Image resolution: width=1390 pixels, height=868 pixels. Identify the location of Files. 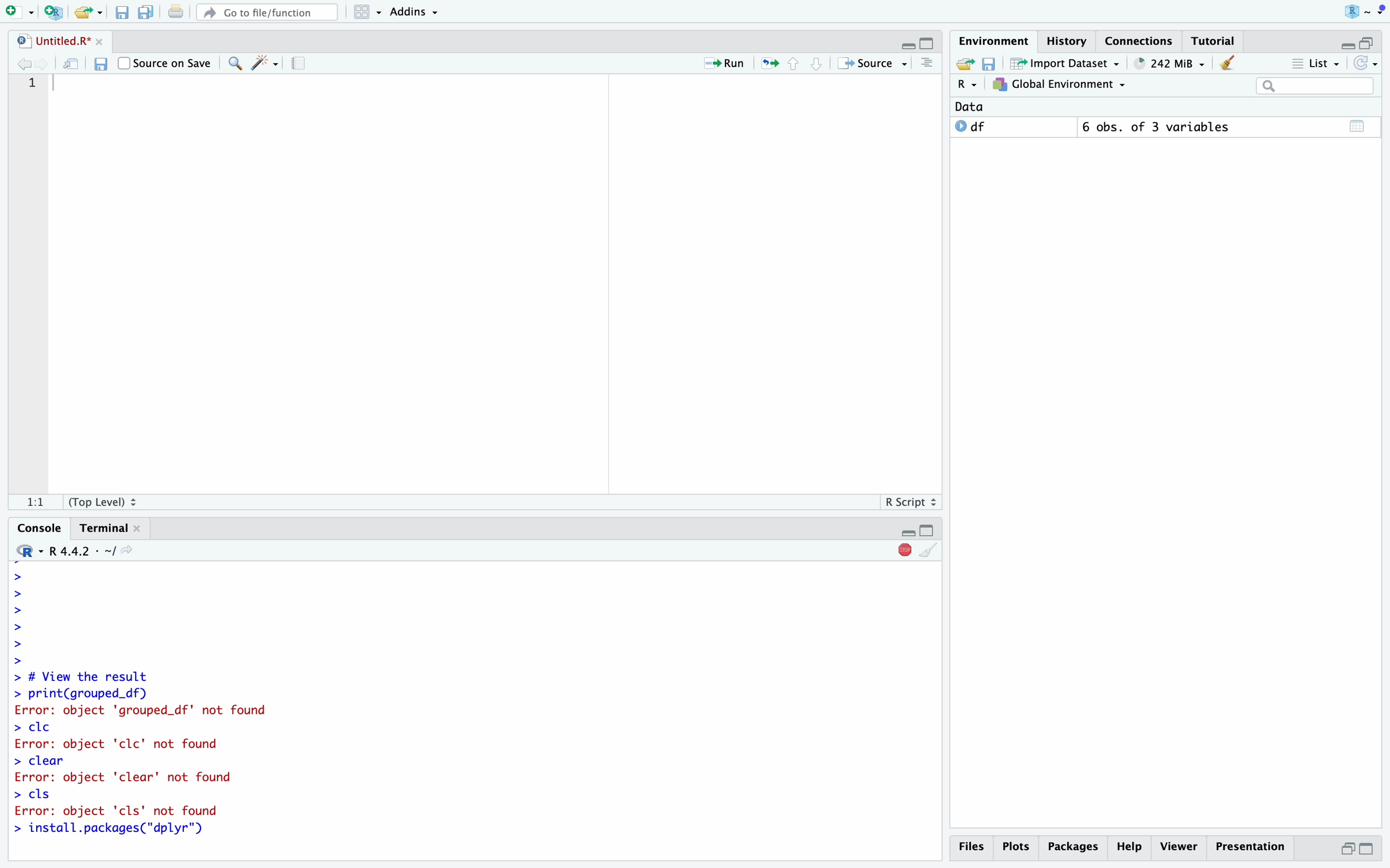
(974, 847).